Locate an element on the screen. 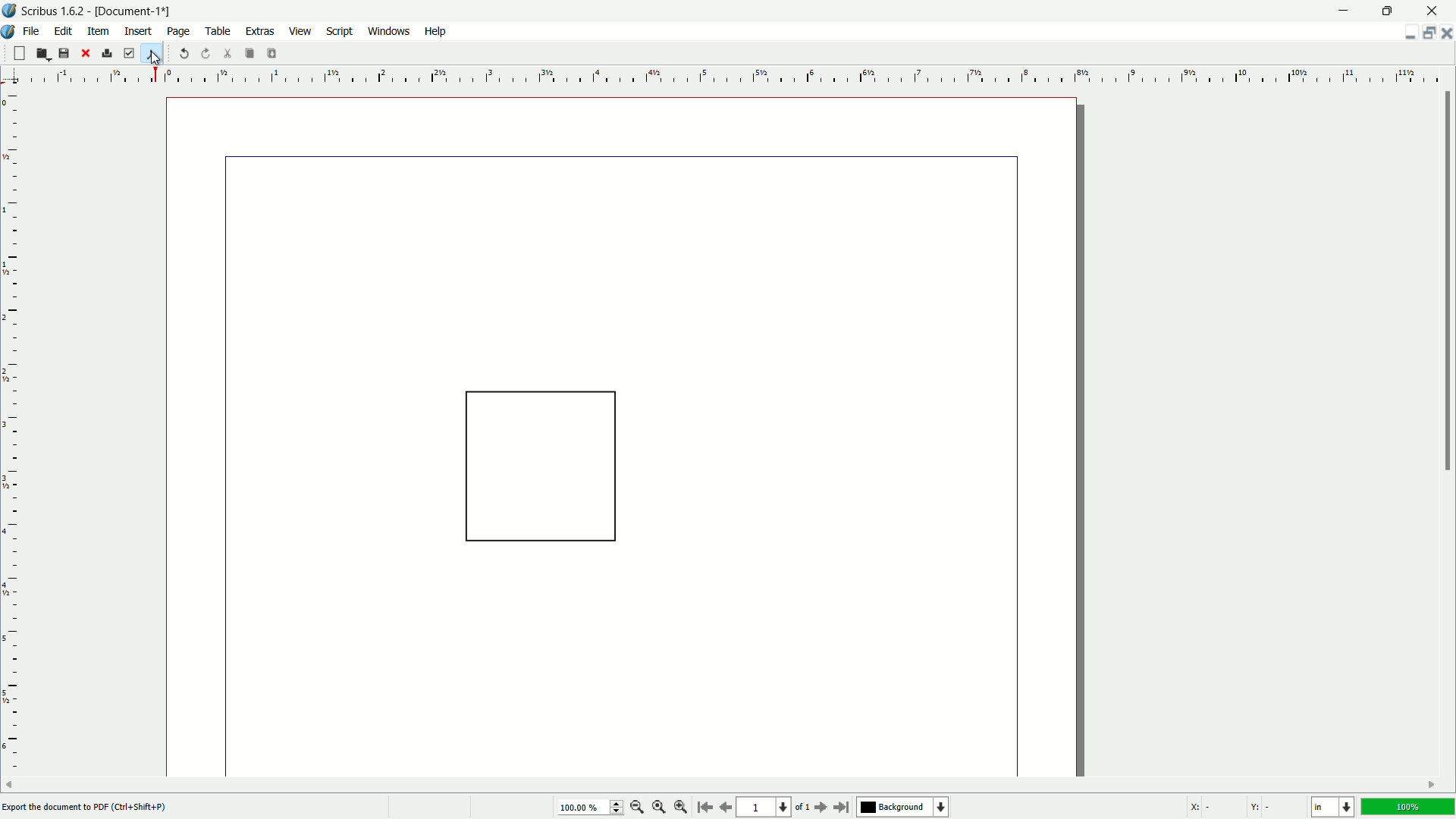 This screenshot has height=819, width=1456. print is located at coordinates (108, 52).